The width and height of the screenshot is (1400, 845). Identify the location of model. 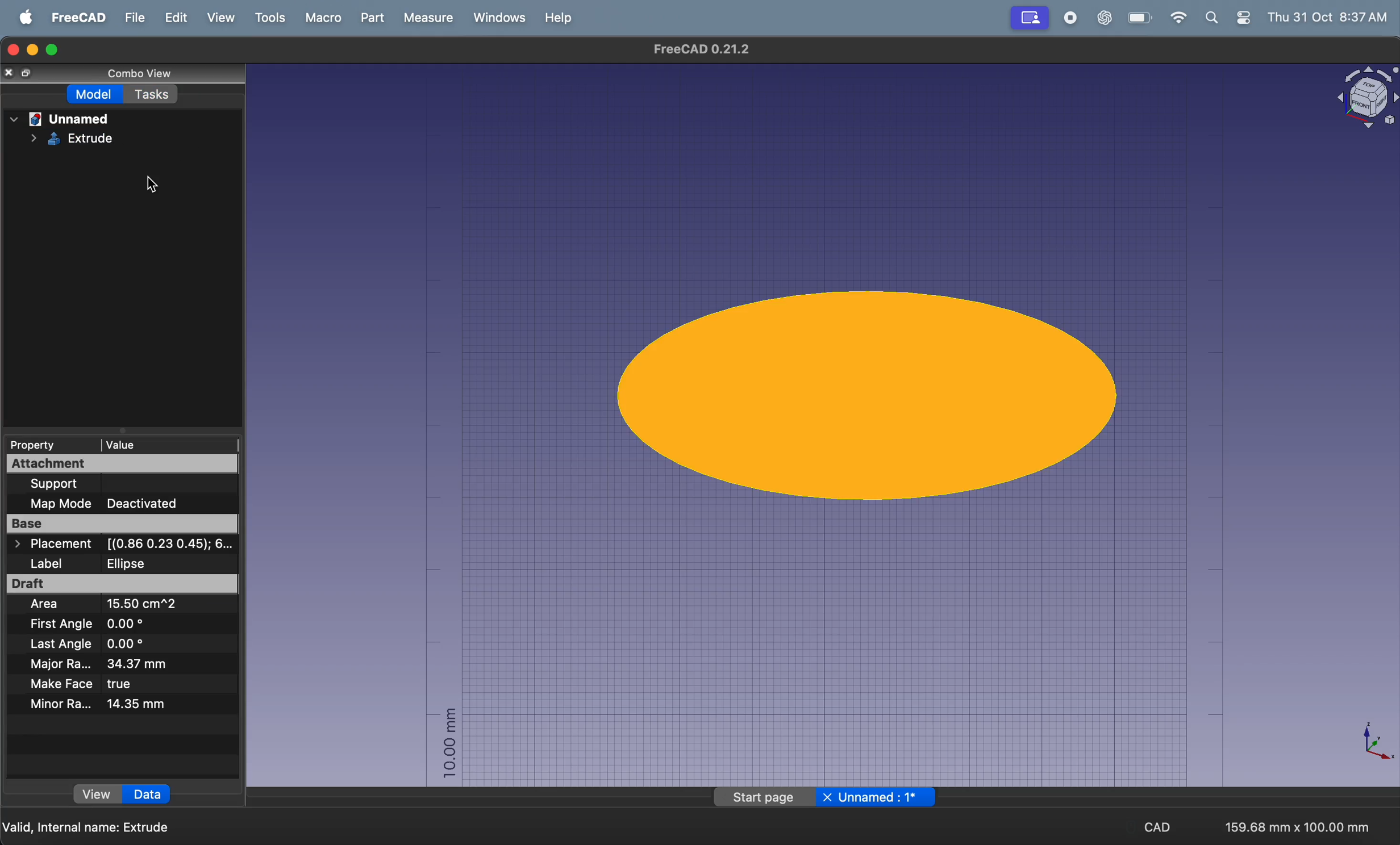
(92, 97).